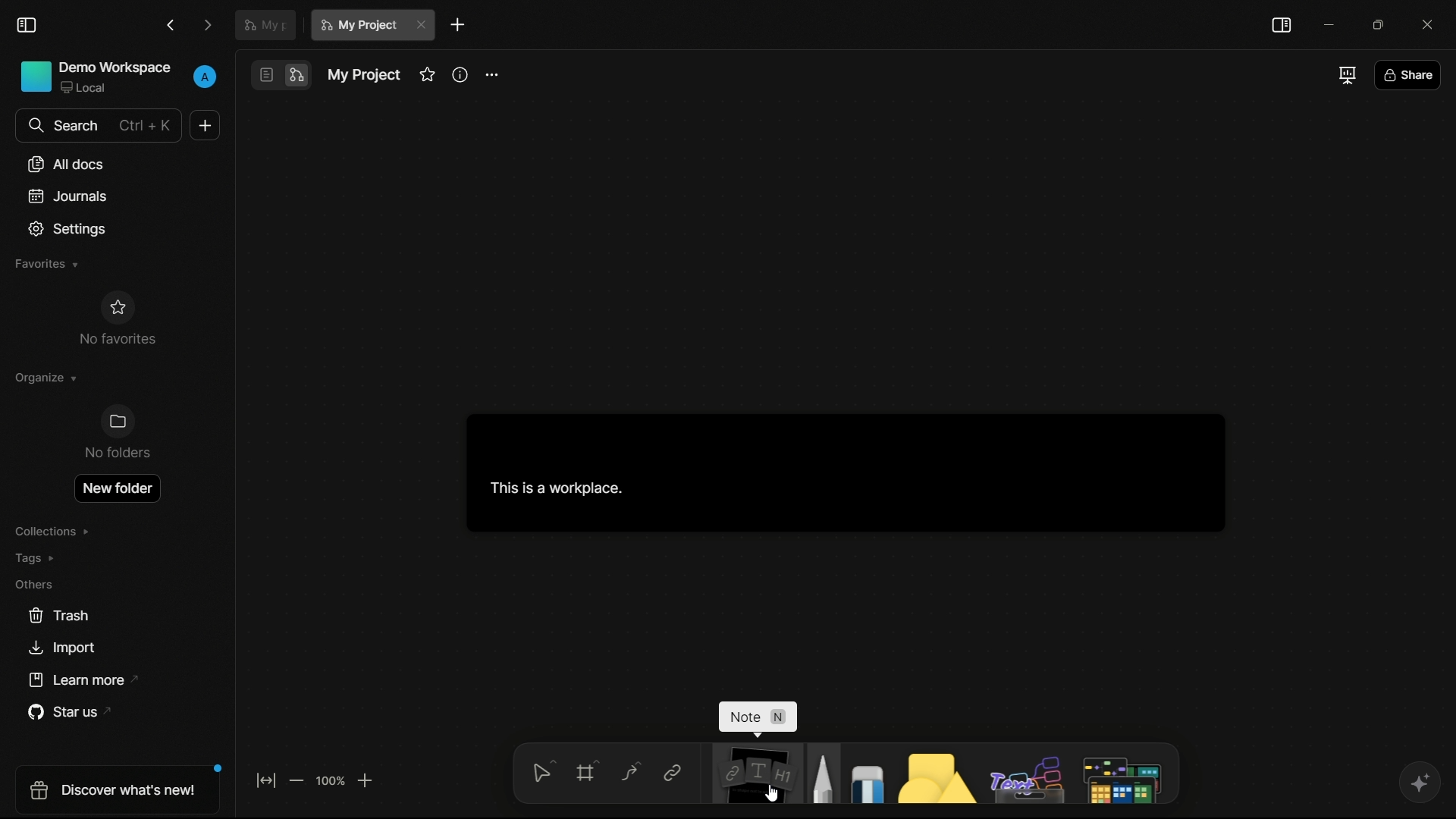  Describe the element at coordinates (266, 780) in the screenshot. I see `fit to screen` at that location.